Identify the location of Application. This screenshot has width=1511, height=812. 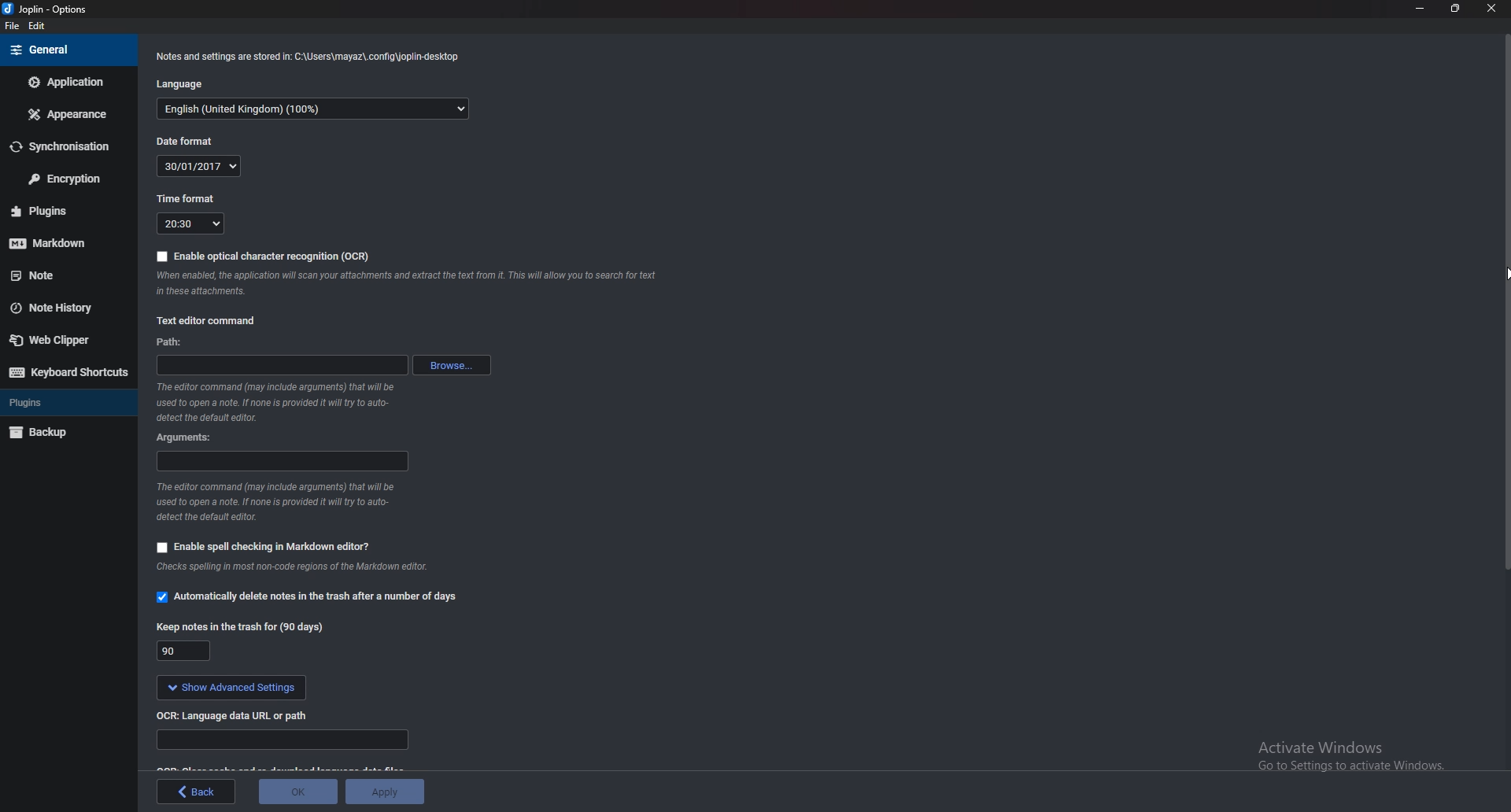
(68, 83).